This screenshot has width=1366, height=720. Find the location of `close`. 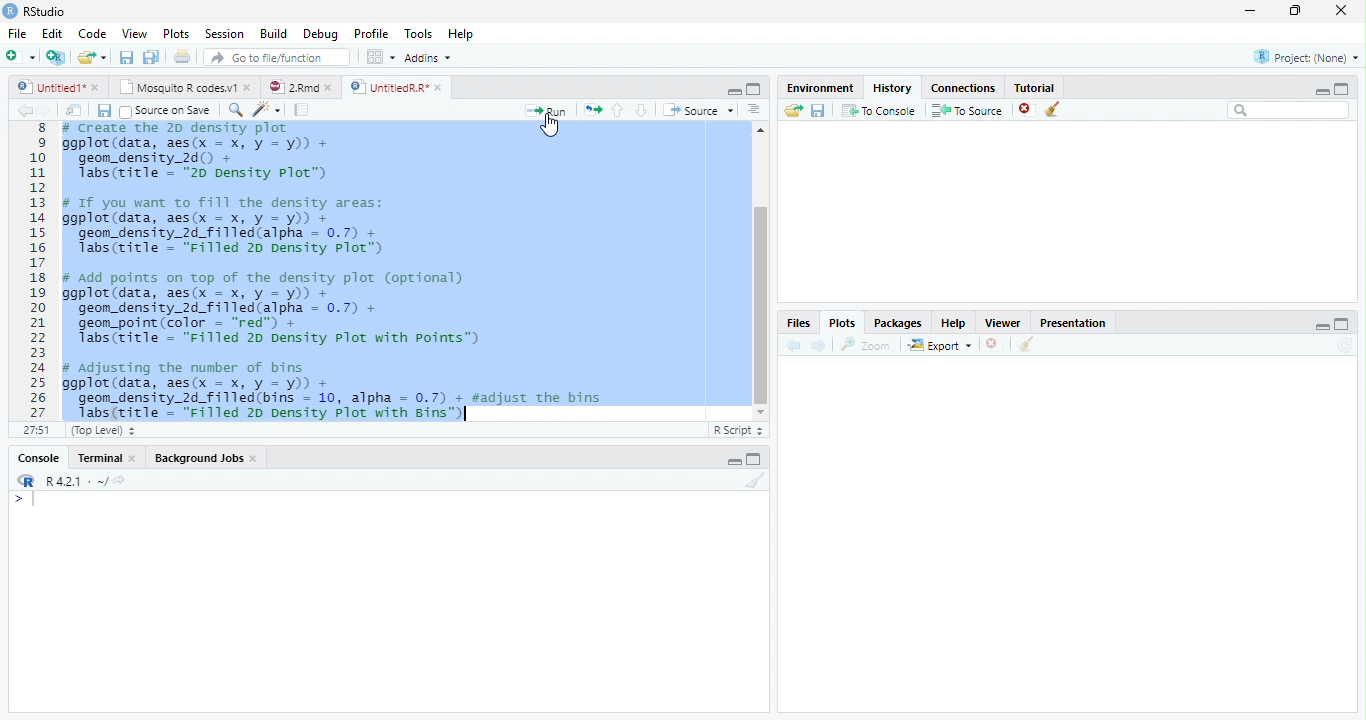

close is located at coordinates (332, 87).